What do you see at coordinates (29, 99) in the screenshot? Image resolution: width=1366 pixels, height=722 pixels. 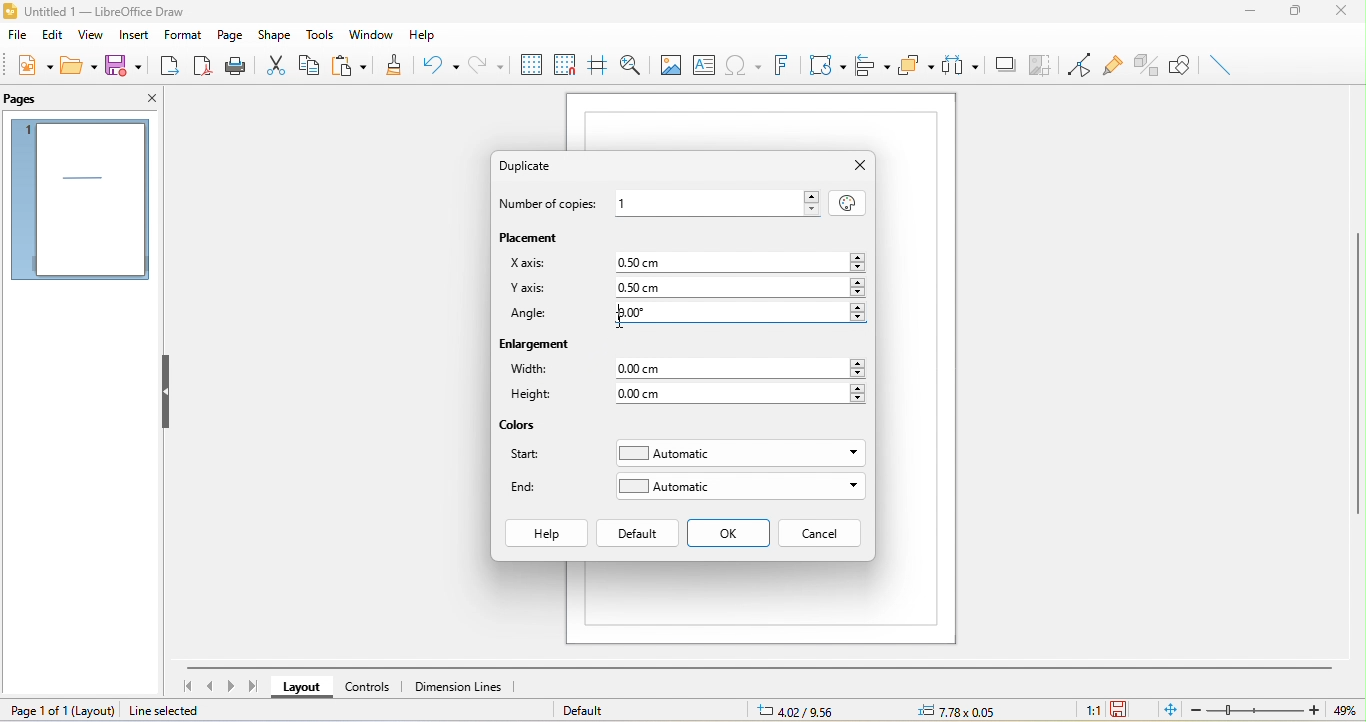 I see `pages` at bounding box center [29, 99].